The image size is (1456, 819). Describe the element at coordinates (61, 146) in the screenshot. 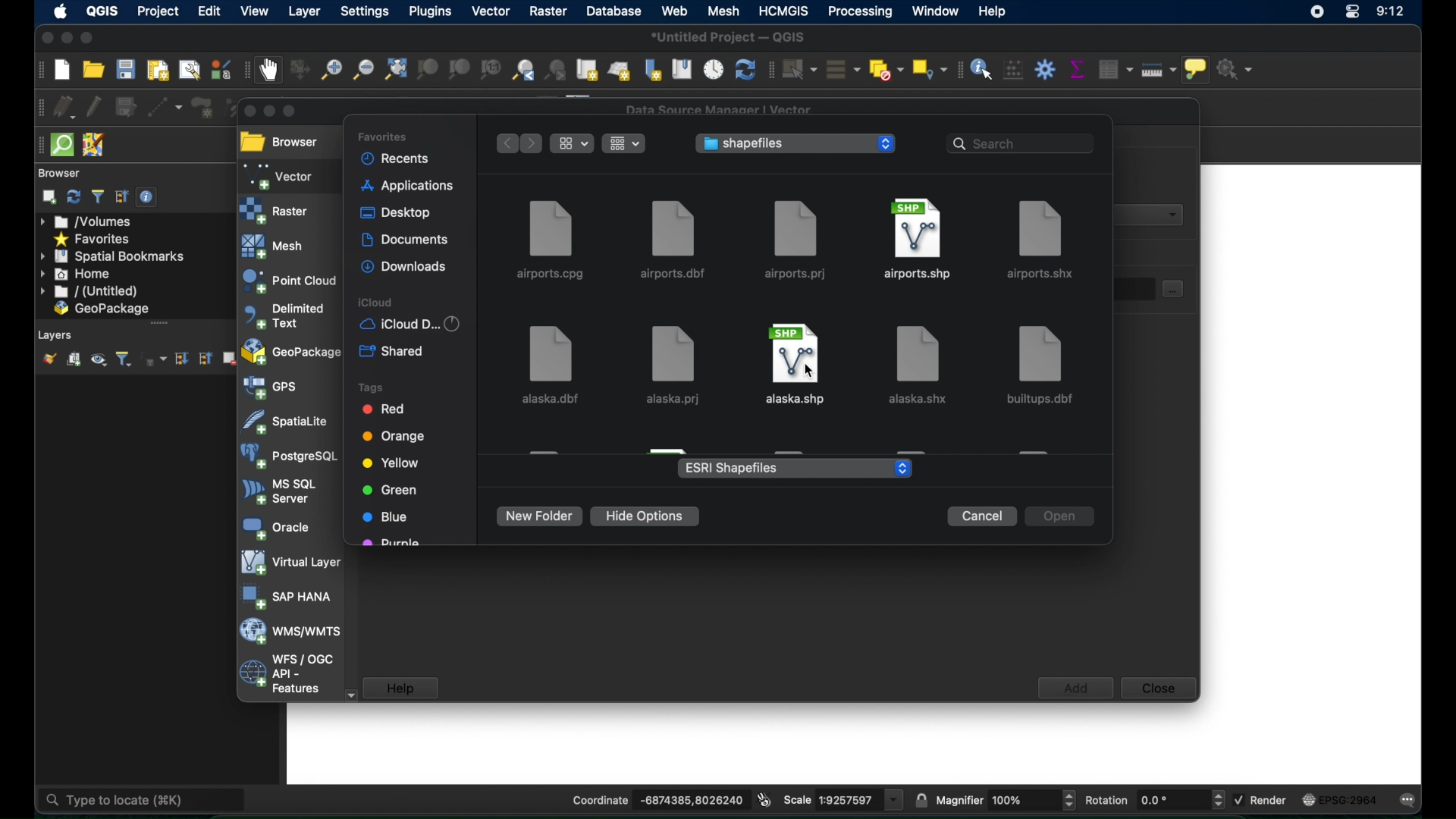

I see `quicksom` at that location.